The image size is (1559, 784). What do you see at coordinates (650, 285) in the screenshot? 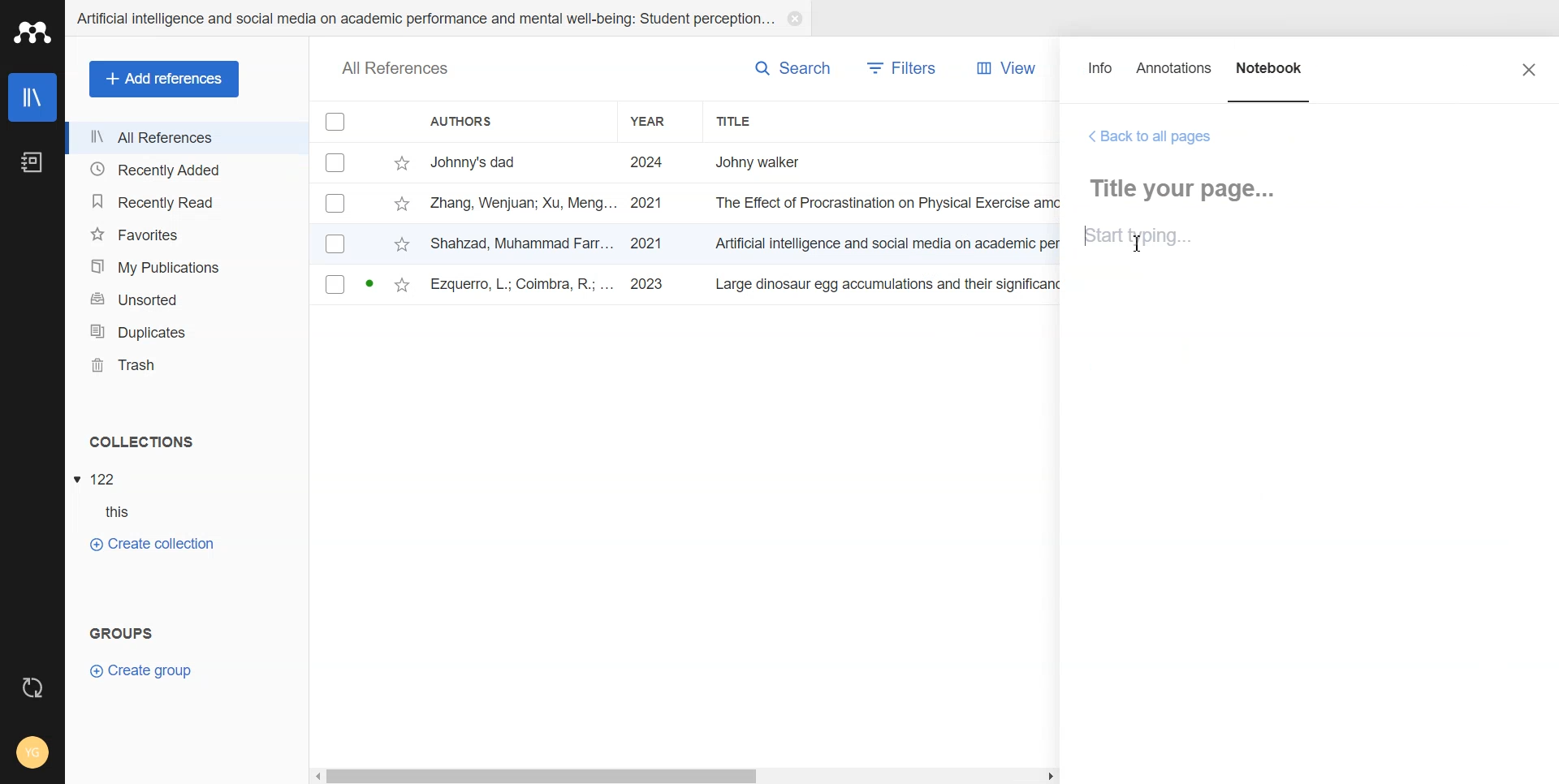
I see `2023` at bounding box center [650, 285].